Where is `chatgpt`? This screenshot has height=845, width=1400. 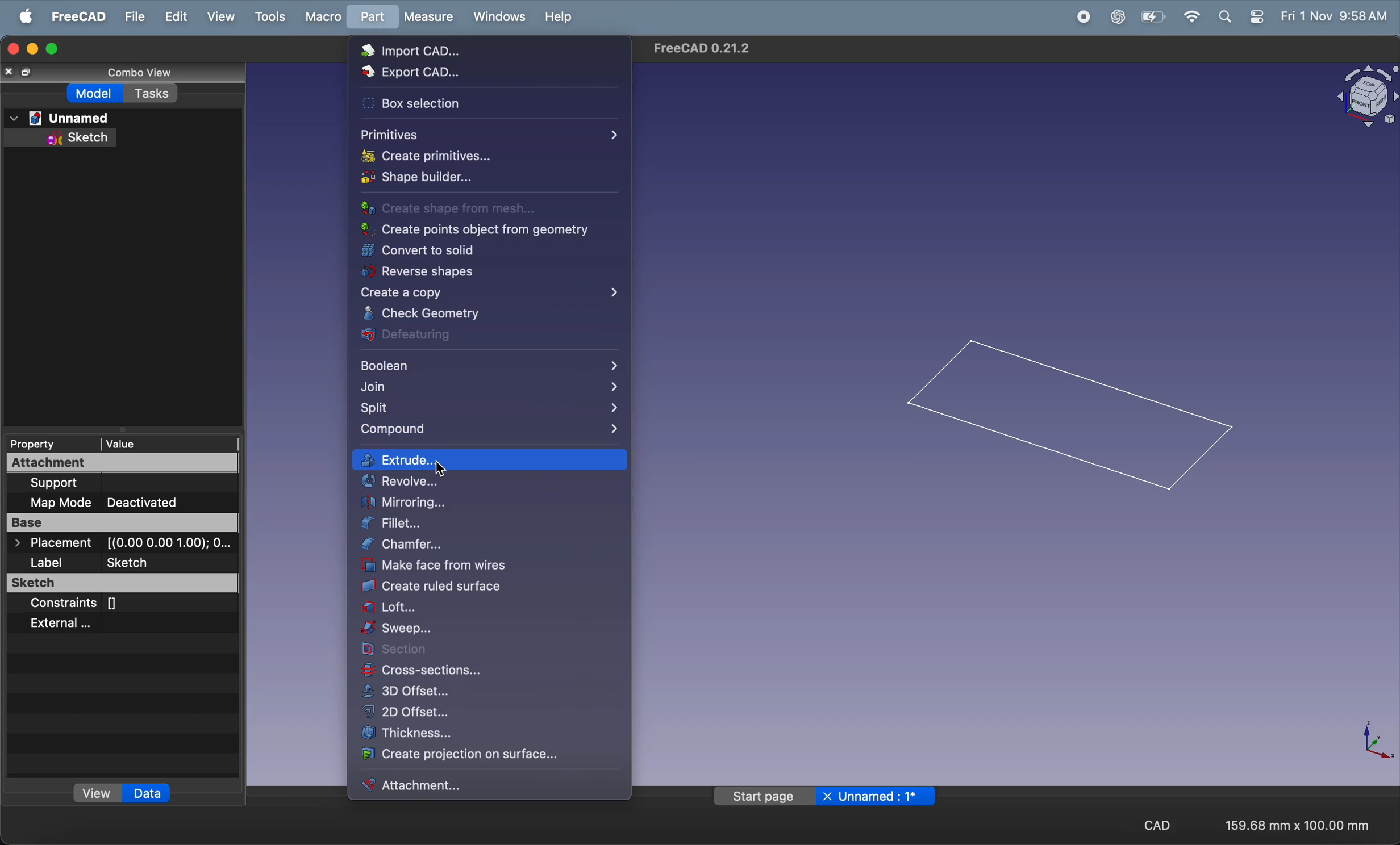 chatgpt is located at coordinates (1116, 16).